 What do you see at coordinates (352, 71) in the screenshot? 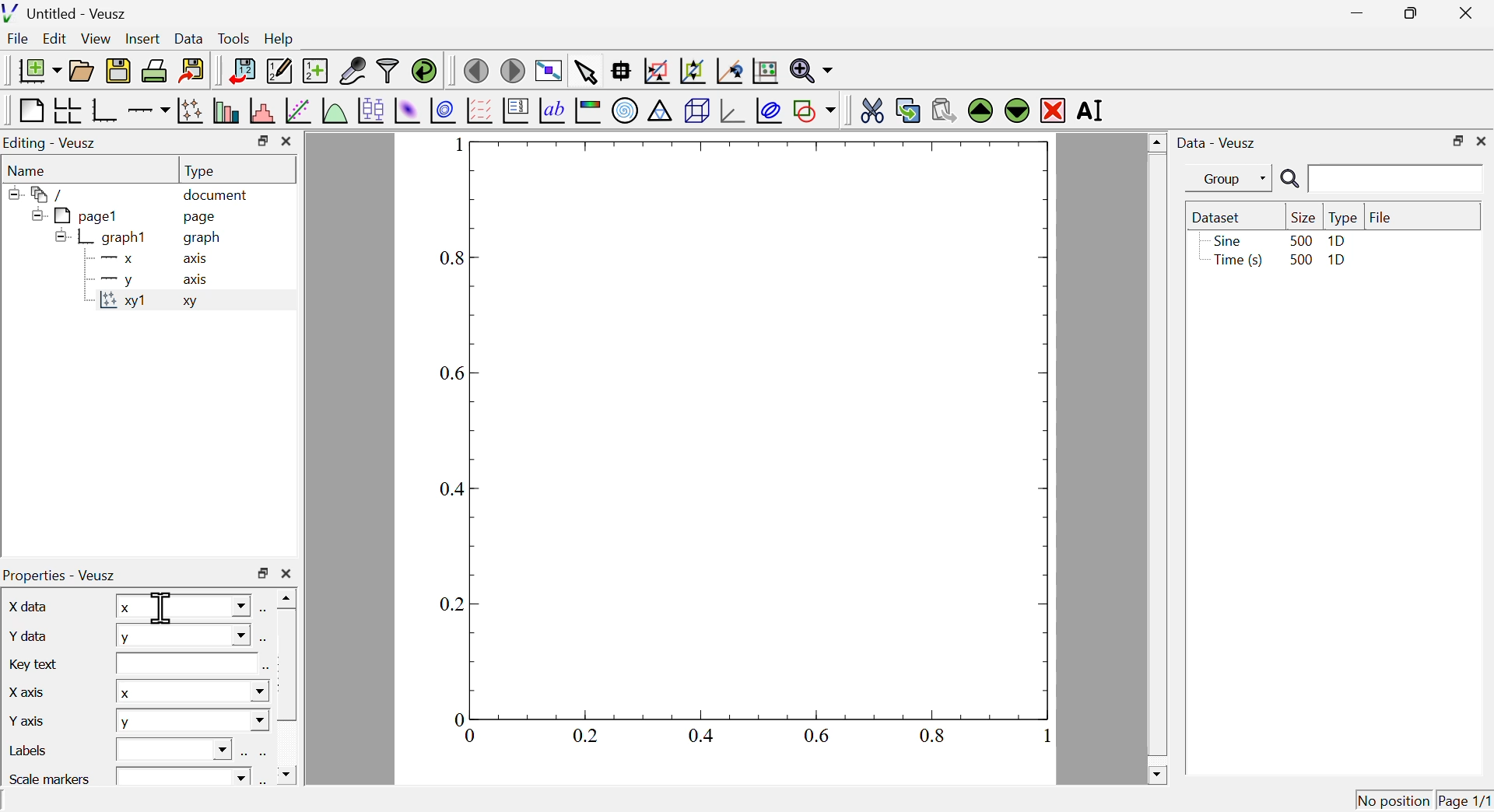
I see `capture remote data` at bounding box center [352, 71].